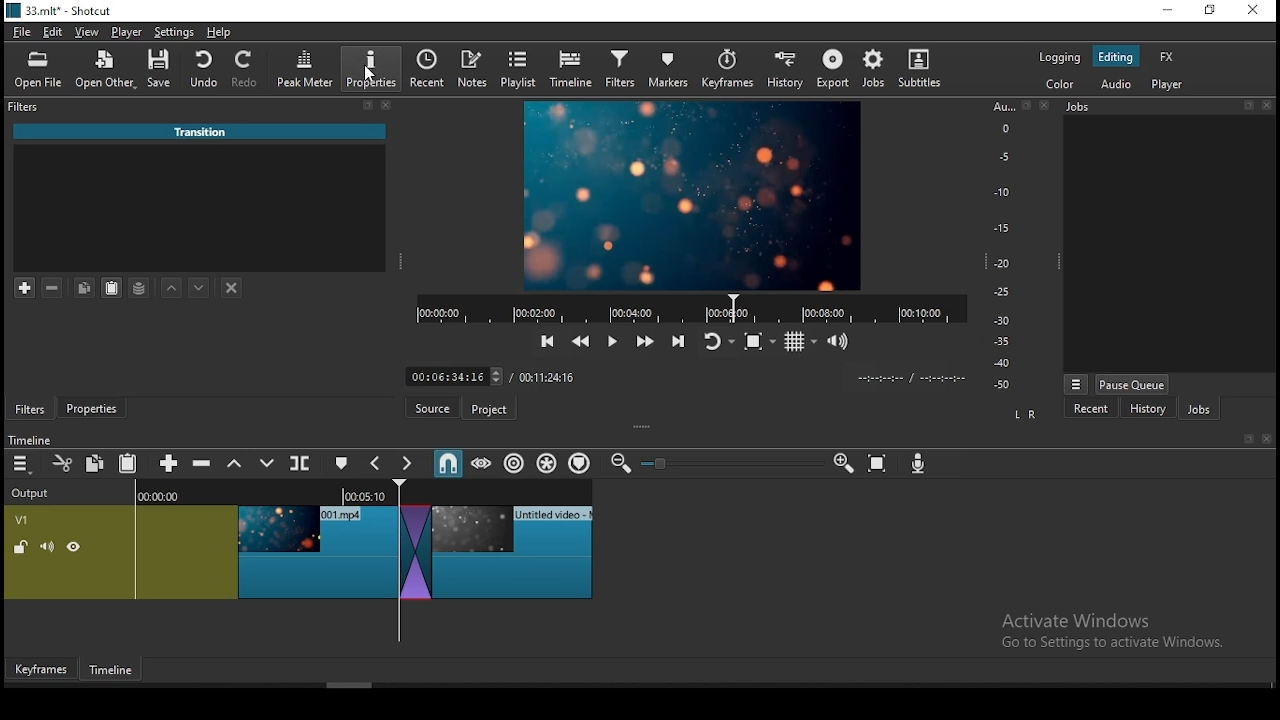 The height and width of the screenshot is (720, 1280). What do you see at coordinates (62, 13) in the screenshot?
I see `icon and file name` at bounding box center [62, 13].